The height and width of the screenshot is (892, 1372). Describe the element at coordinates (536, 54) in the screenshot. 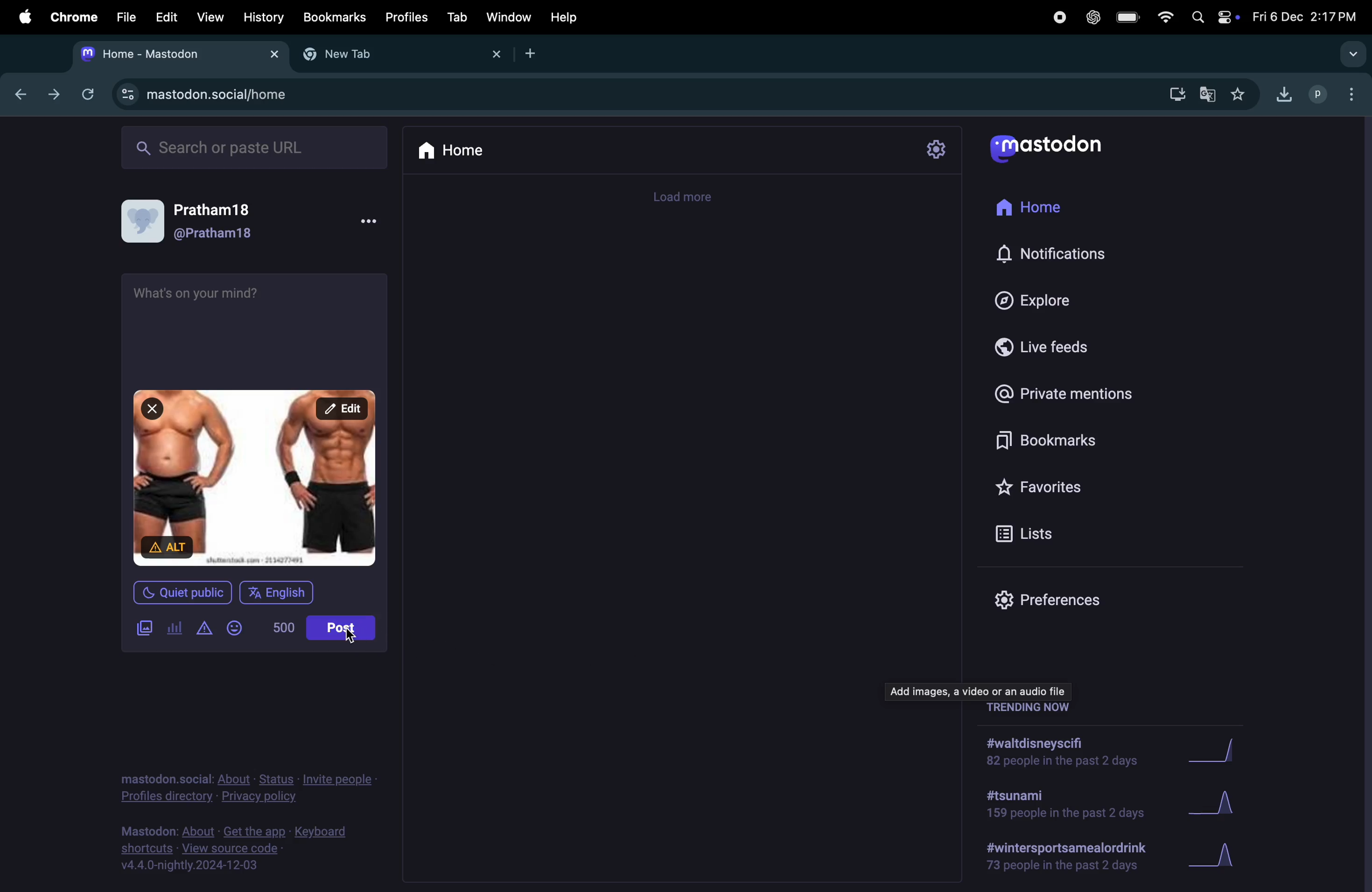

I see `new tab` at that location.